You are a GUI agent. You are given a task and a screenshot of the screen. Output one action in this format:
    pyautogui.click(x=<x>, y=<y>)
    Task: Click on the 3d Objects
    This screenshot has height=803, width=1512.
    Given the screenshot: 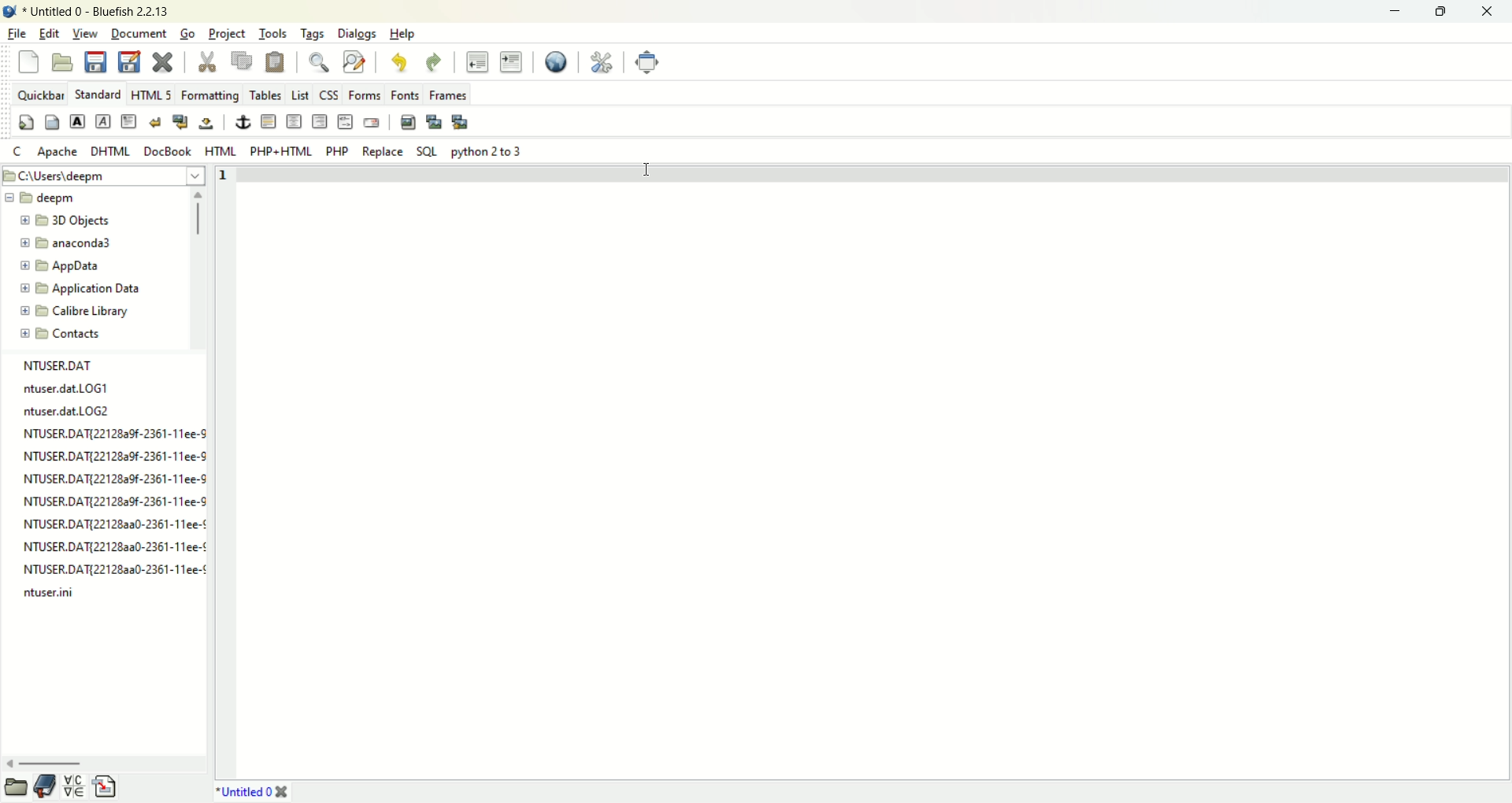 What is the action you would take?
    pyautogui.click(x=71, y=220)
    